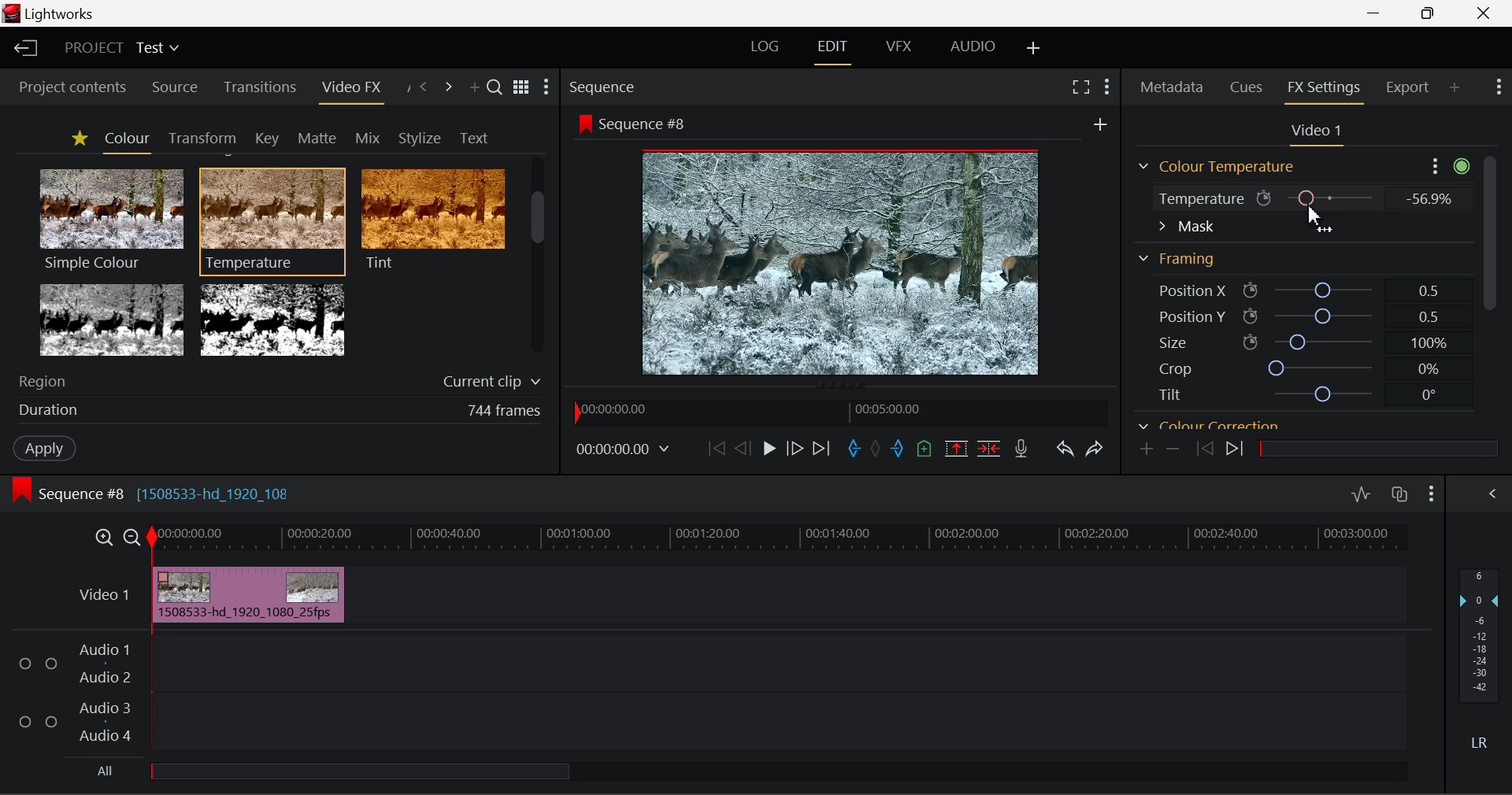  Describe the element at coordinates (44, 383) in the screenshot. I see `Region` at that location.